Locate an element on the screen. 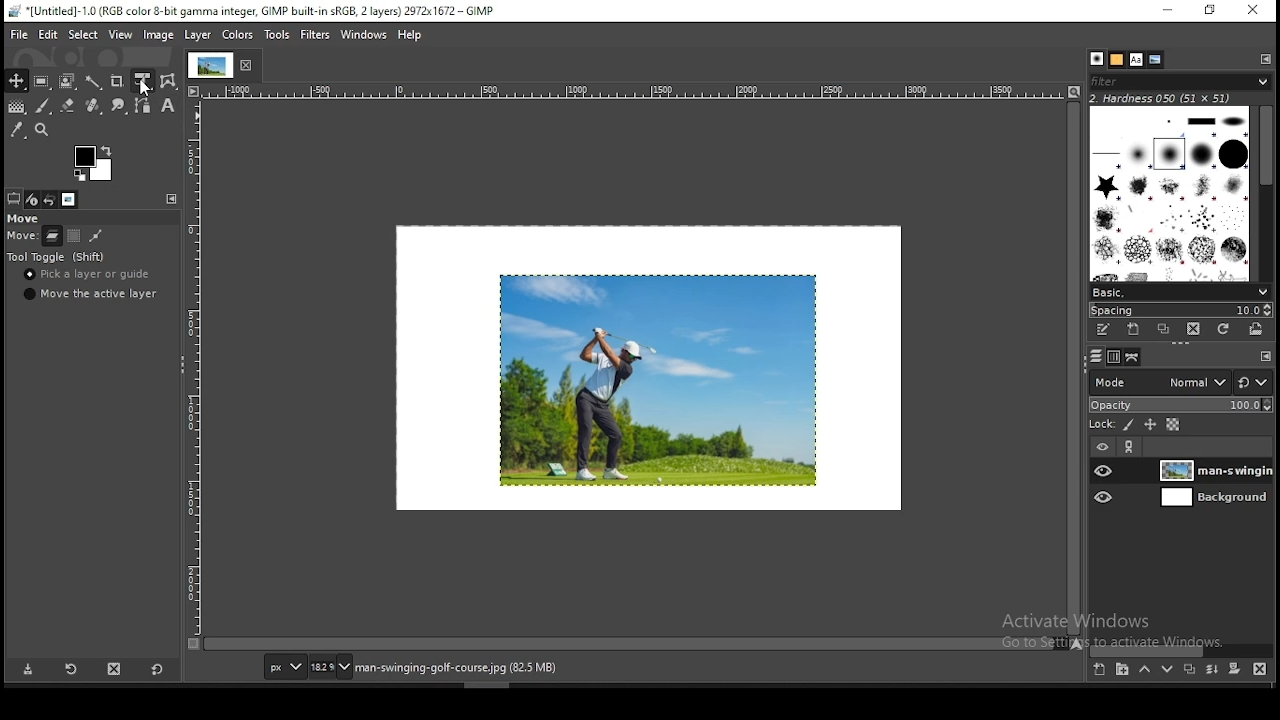  unified transform tool is located at coordinates (144, 81).